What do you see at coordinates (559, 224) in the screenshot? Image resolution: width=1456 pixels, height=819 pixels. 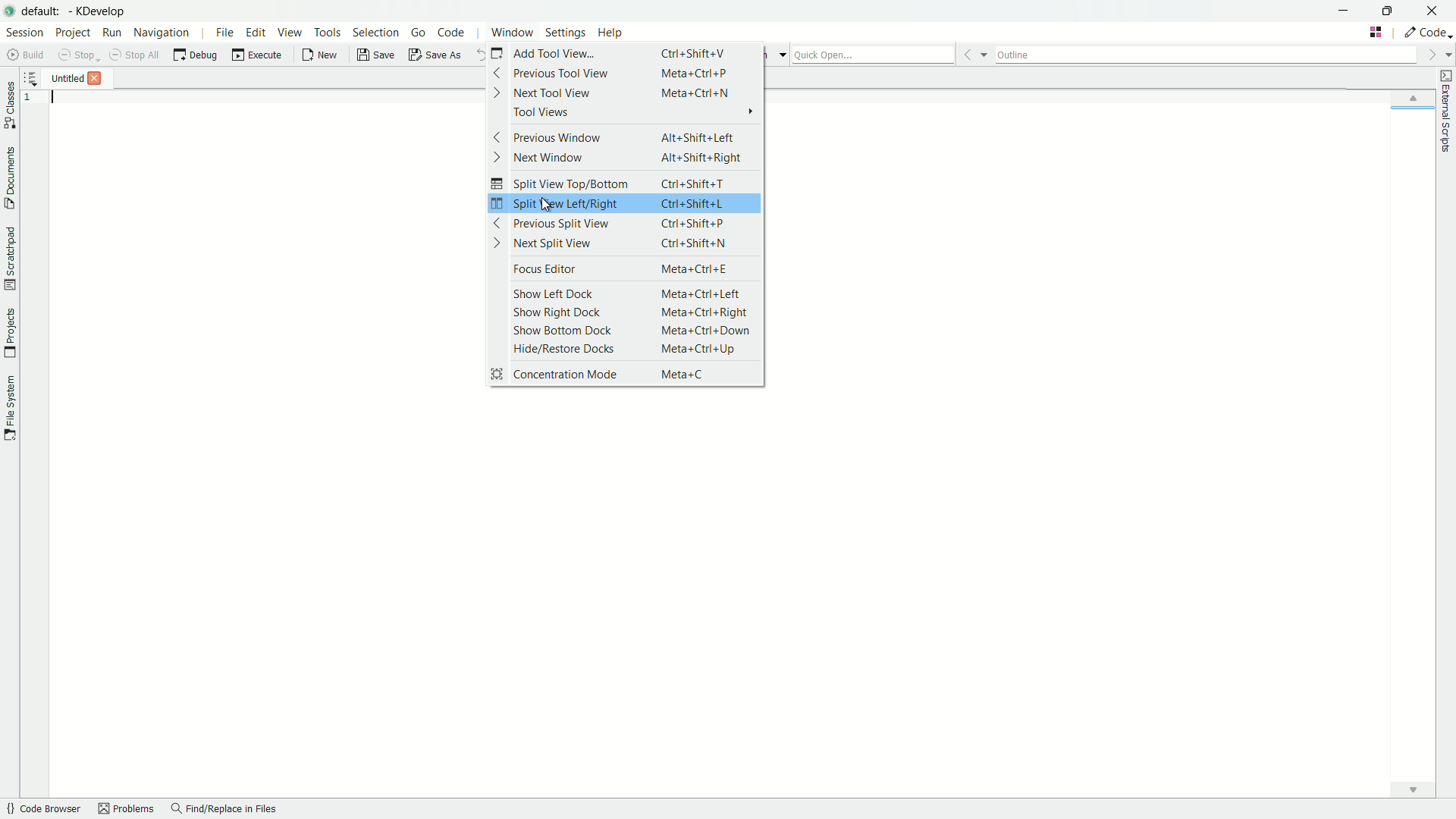 I see `previous split view` at bounding box center [559, 224].